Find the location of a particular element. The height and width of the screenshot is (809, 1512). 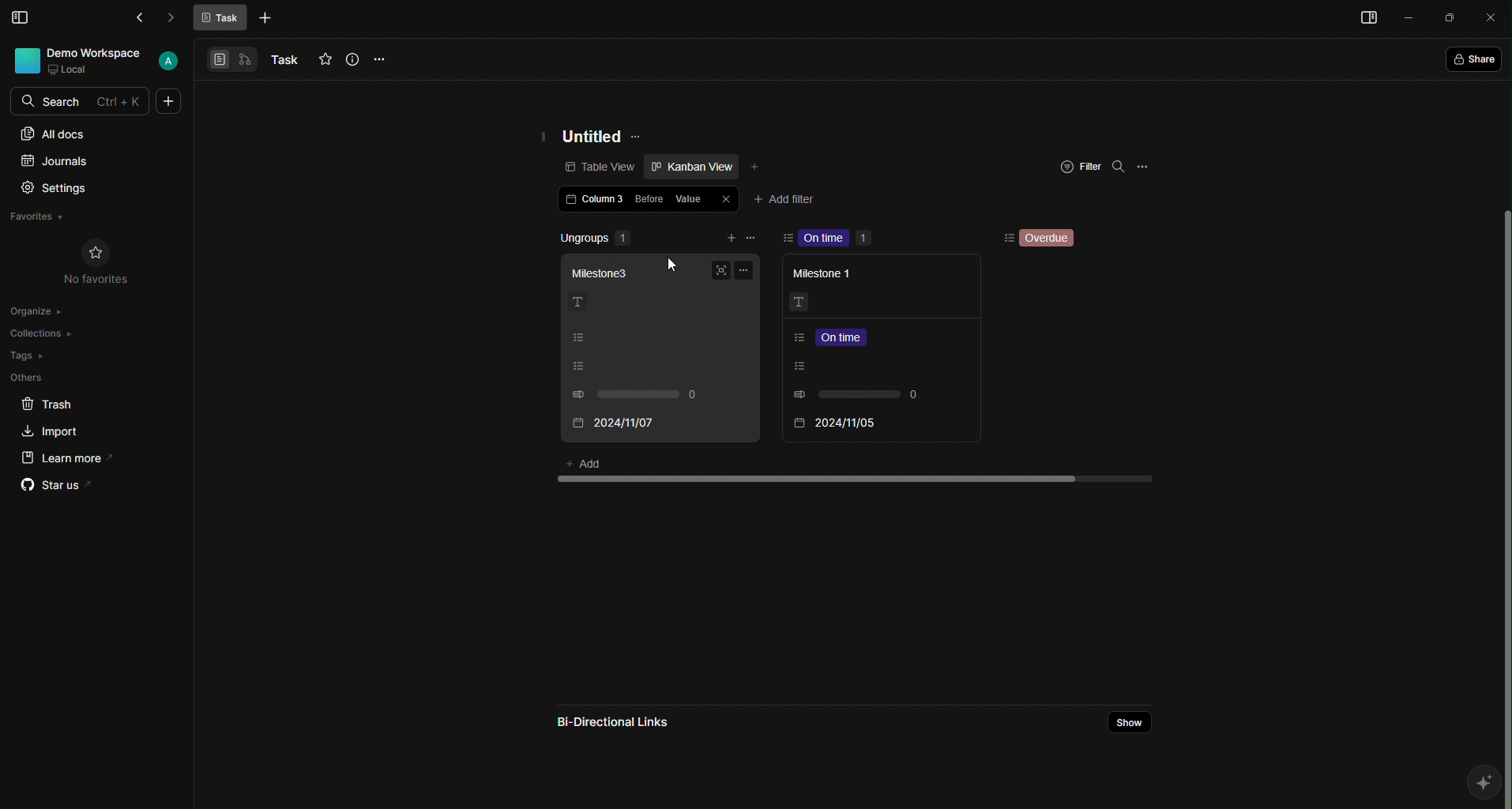

Milestone 3 is located at coordinates (599, 272).